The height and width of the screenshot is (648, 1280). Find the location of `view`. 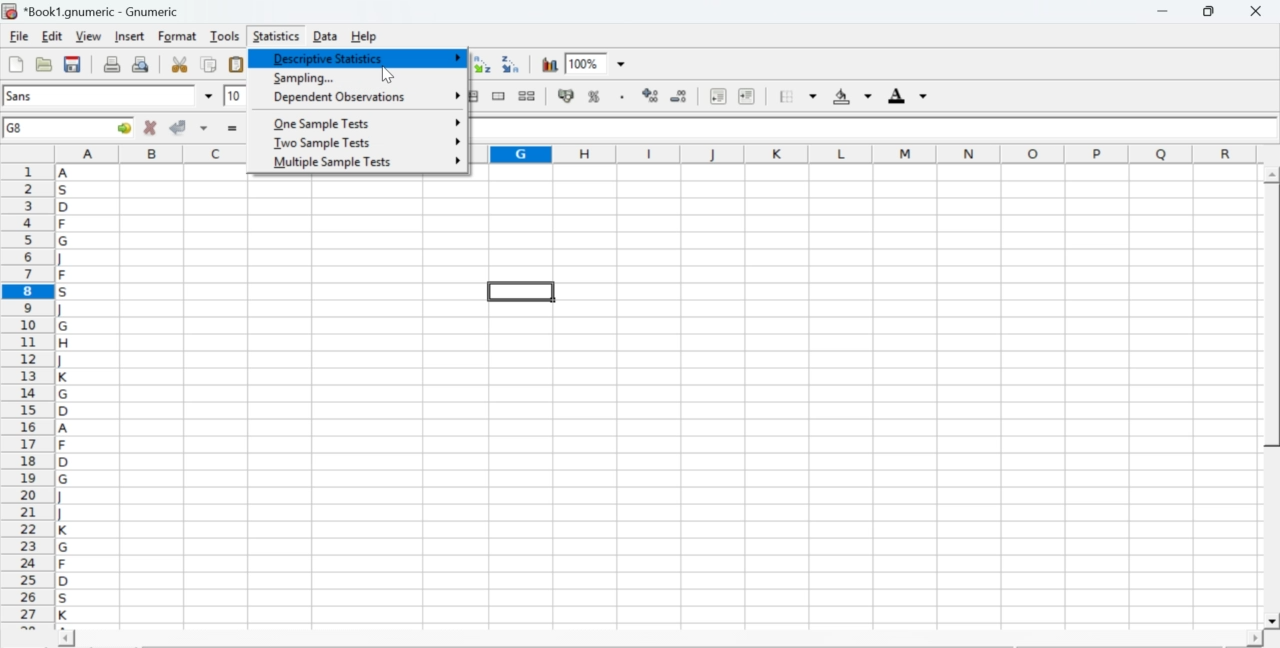

view is located at coordinates (88, 35).